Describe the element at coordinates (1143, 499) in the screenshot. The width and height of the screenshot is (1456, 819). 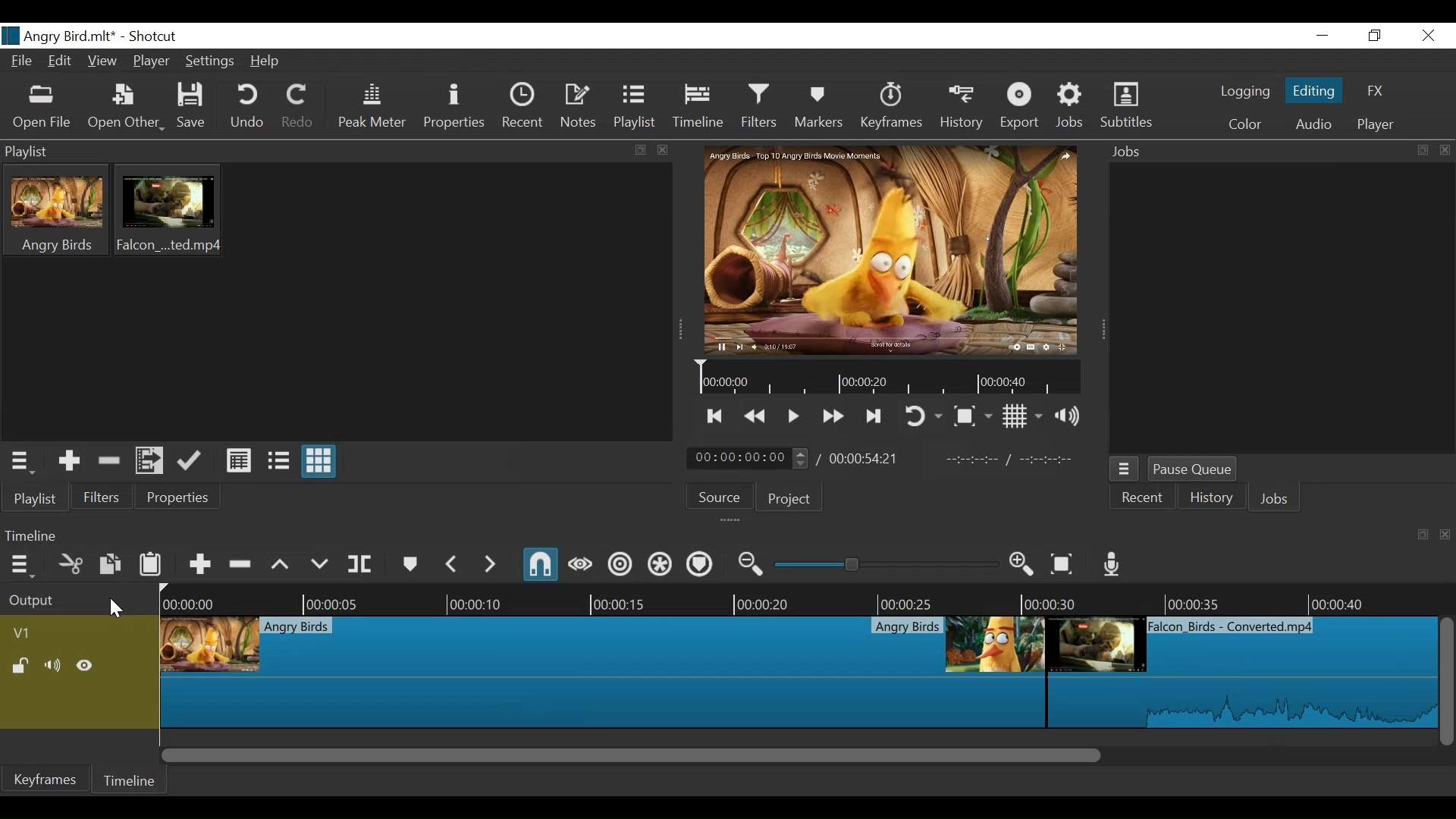
I see `Recent` at that location.